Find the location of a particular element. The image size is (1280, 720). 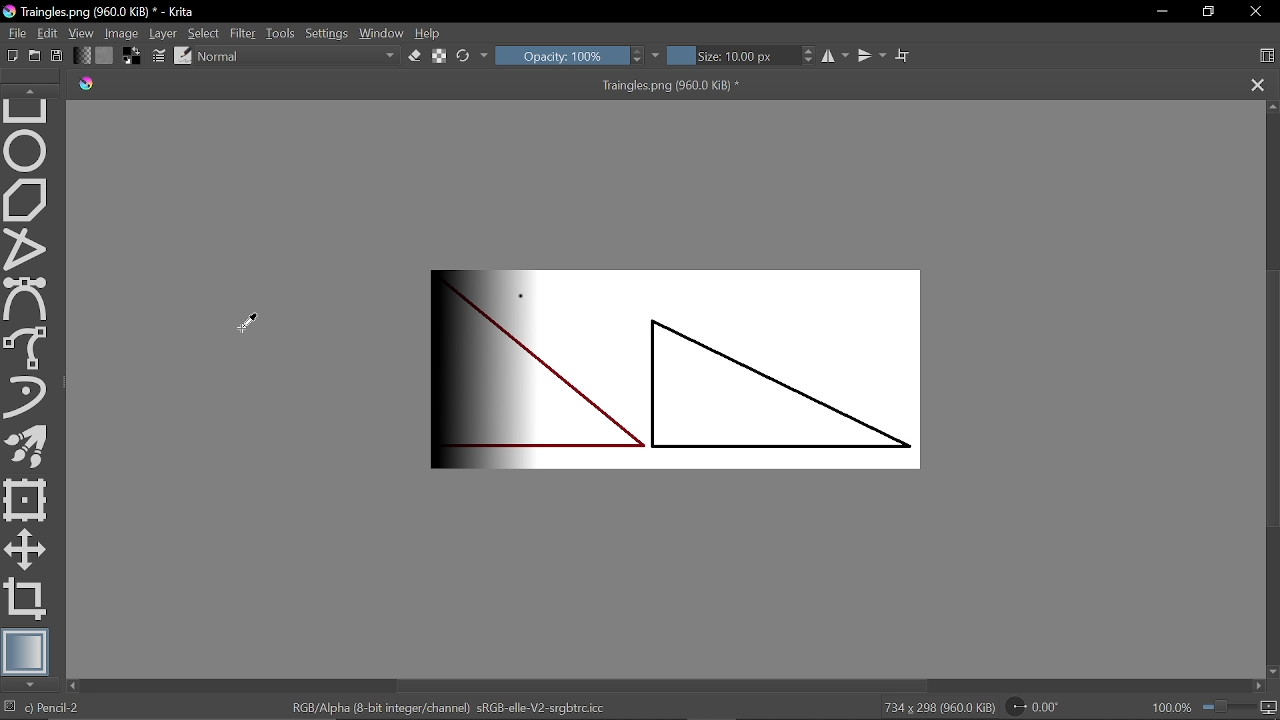

Polyline tool is located at coordinates (26, 251).